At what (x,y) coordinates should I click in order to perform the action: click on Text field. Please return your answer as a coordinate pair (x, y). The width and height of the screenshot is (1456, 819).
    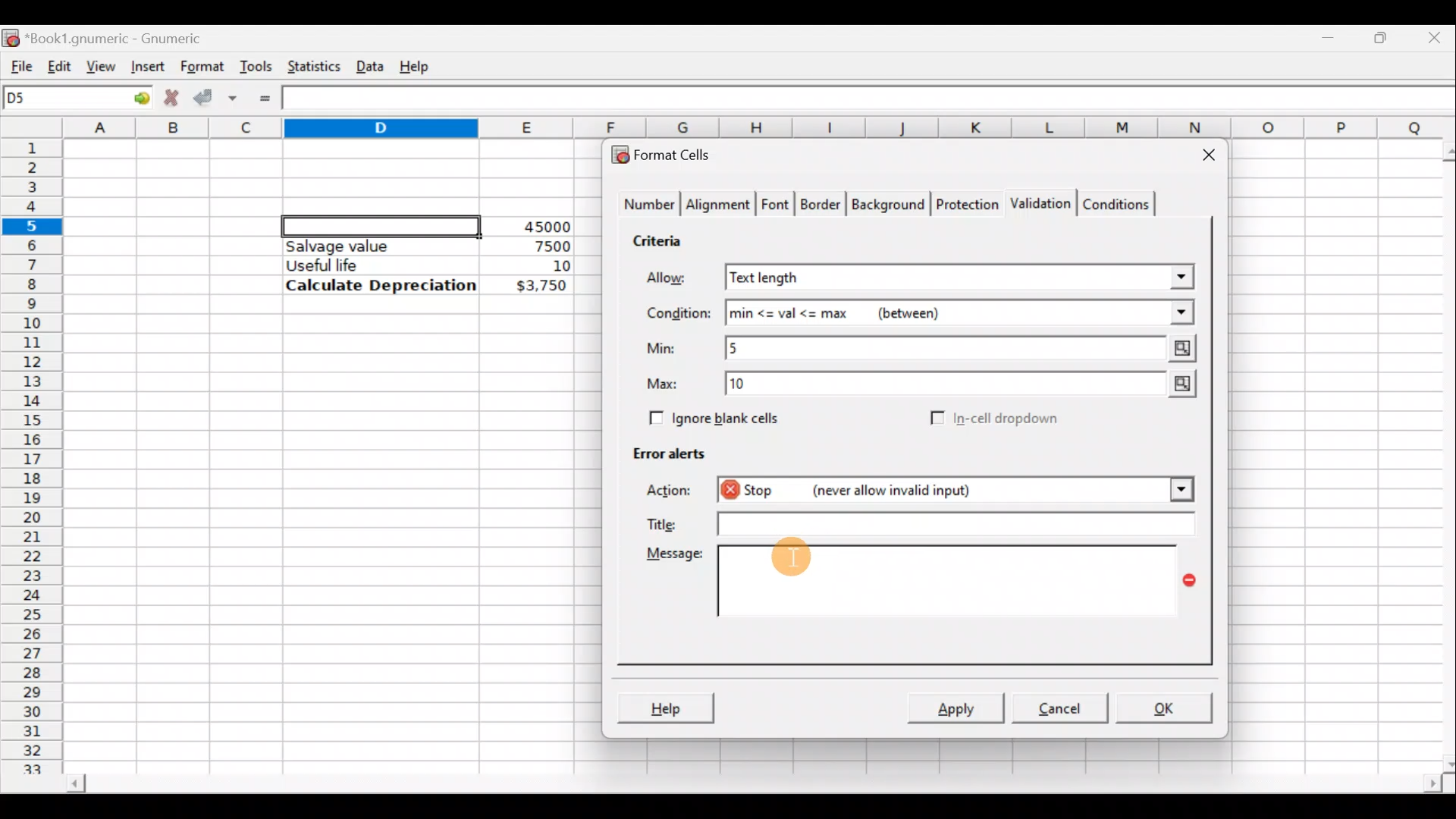
    Looking at the image, I should click on (950, 523).